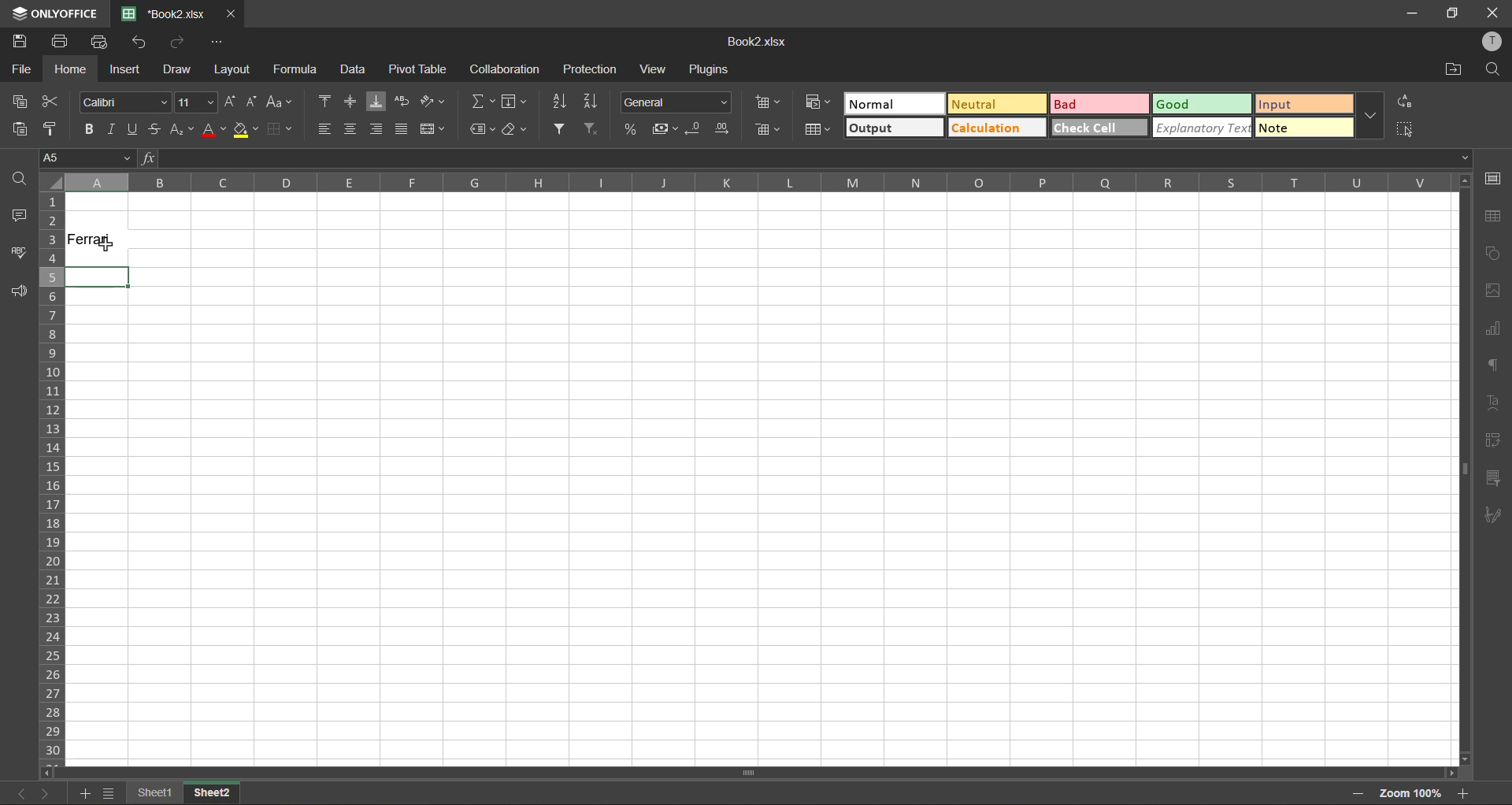 The width and height of the screenshot is (1512, 805). I want to click on draw, so click(180, 68).